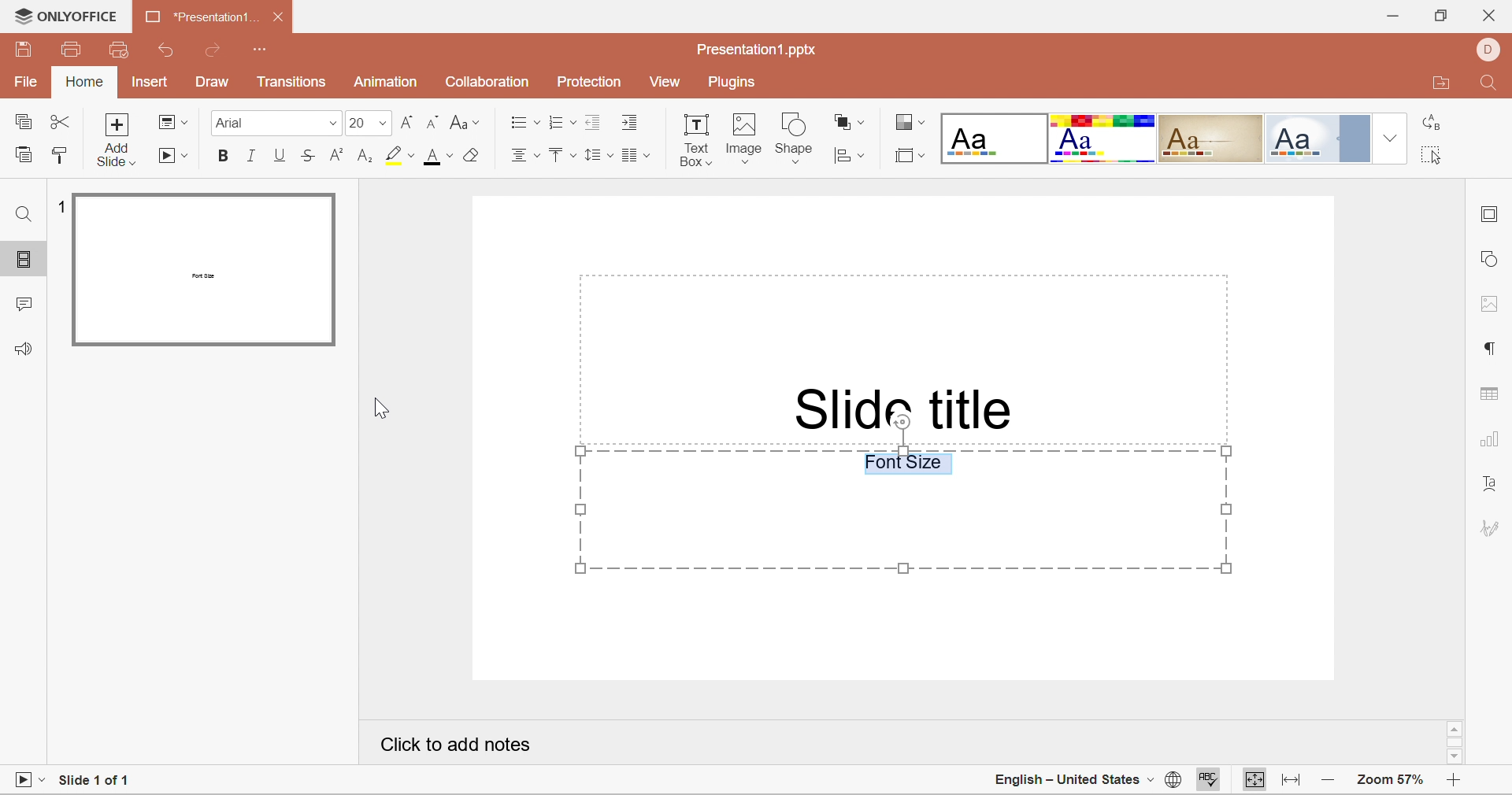  Describe the element at coordinates (1067, 782) in the screenshot. I see `English - United States` at that location.